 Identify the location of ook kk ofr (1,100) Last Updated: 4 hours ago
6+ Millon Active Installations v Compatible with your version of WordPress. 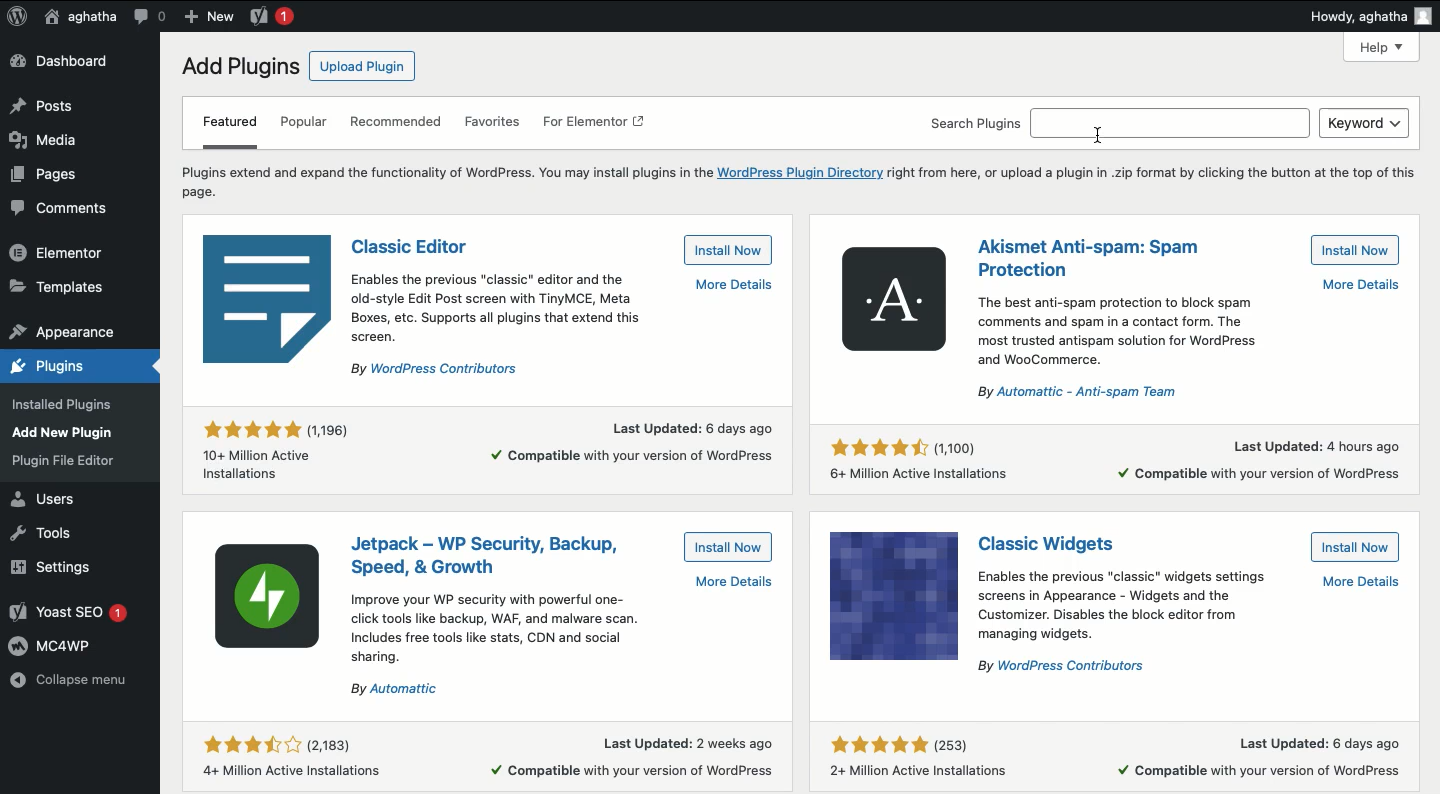
(1122, 459).